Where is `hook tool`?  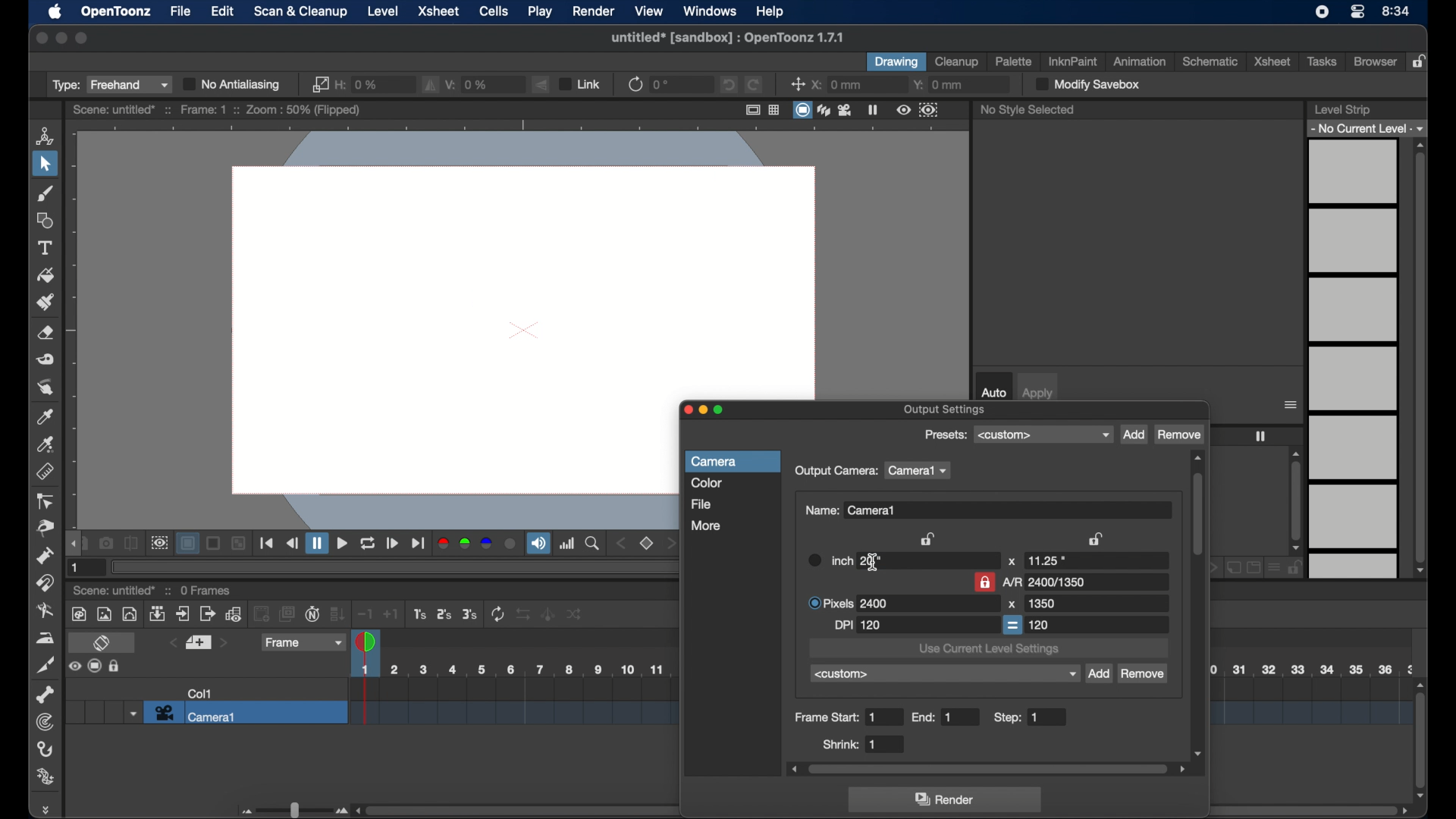
hook tool is located at coordinates (46, 749).